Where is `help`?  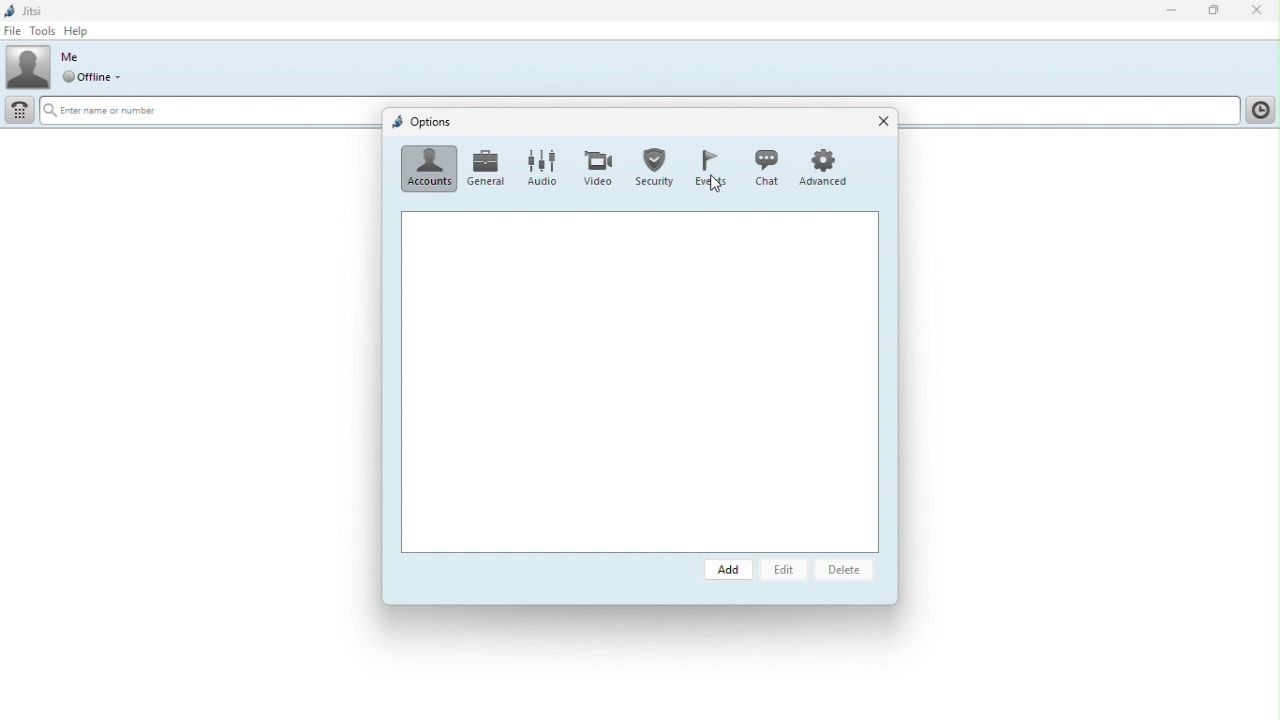 help is located at coordinates (80, 31).